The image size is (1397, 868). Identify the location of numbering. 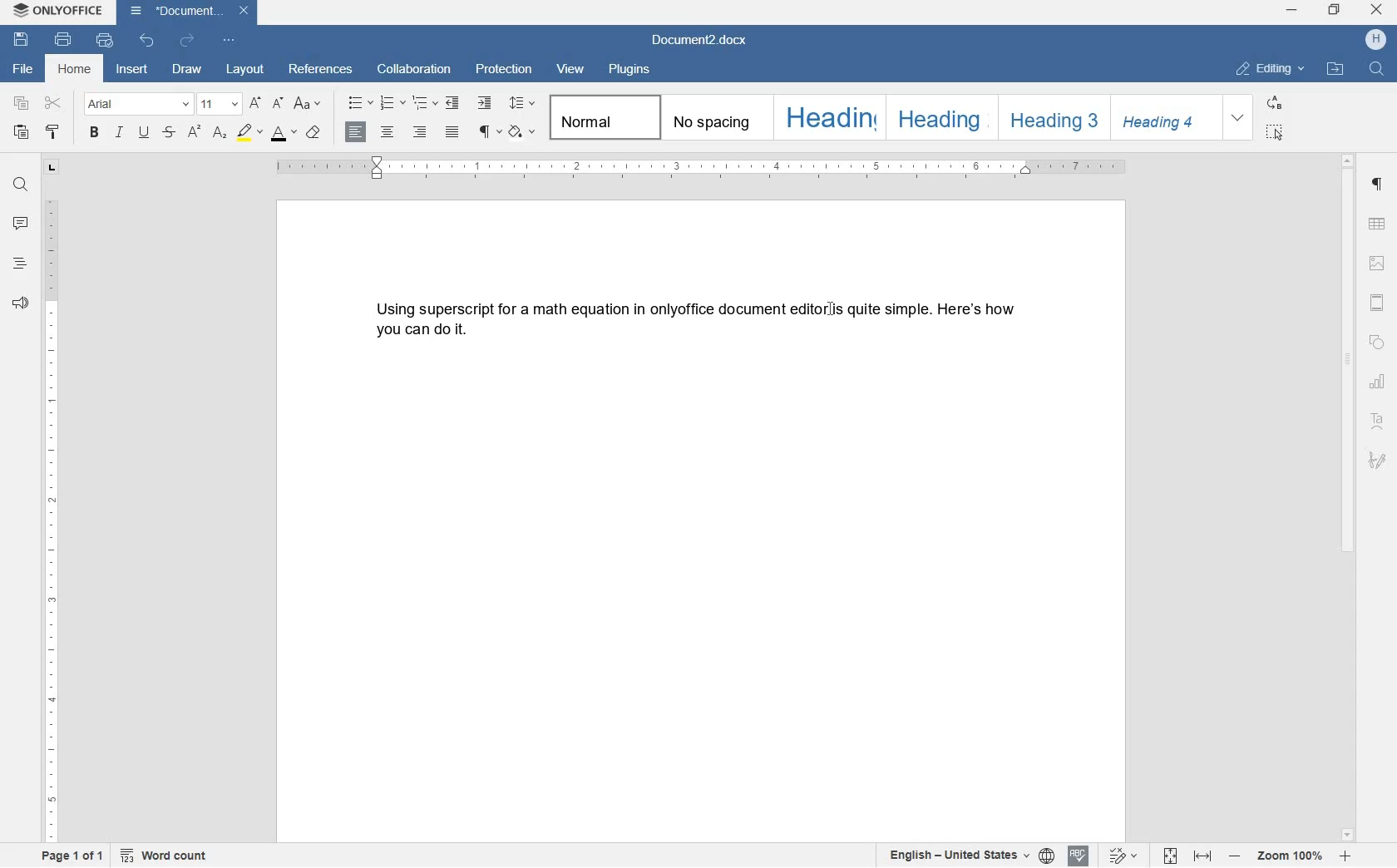
(392, 102).